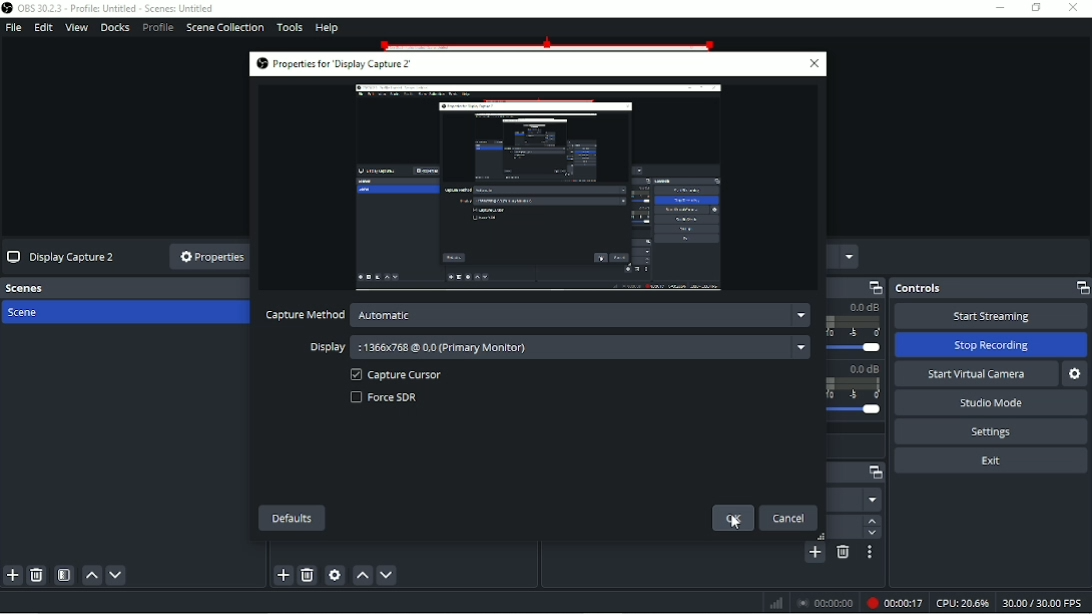 The height and width of the screenshot is (614, 1092). Describe the element at coordinates (114, 28) in the screenshot. I see `Docks` at that location.